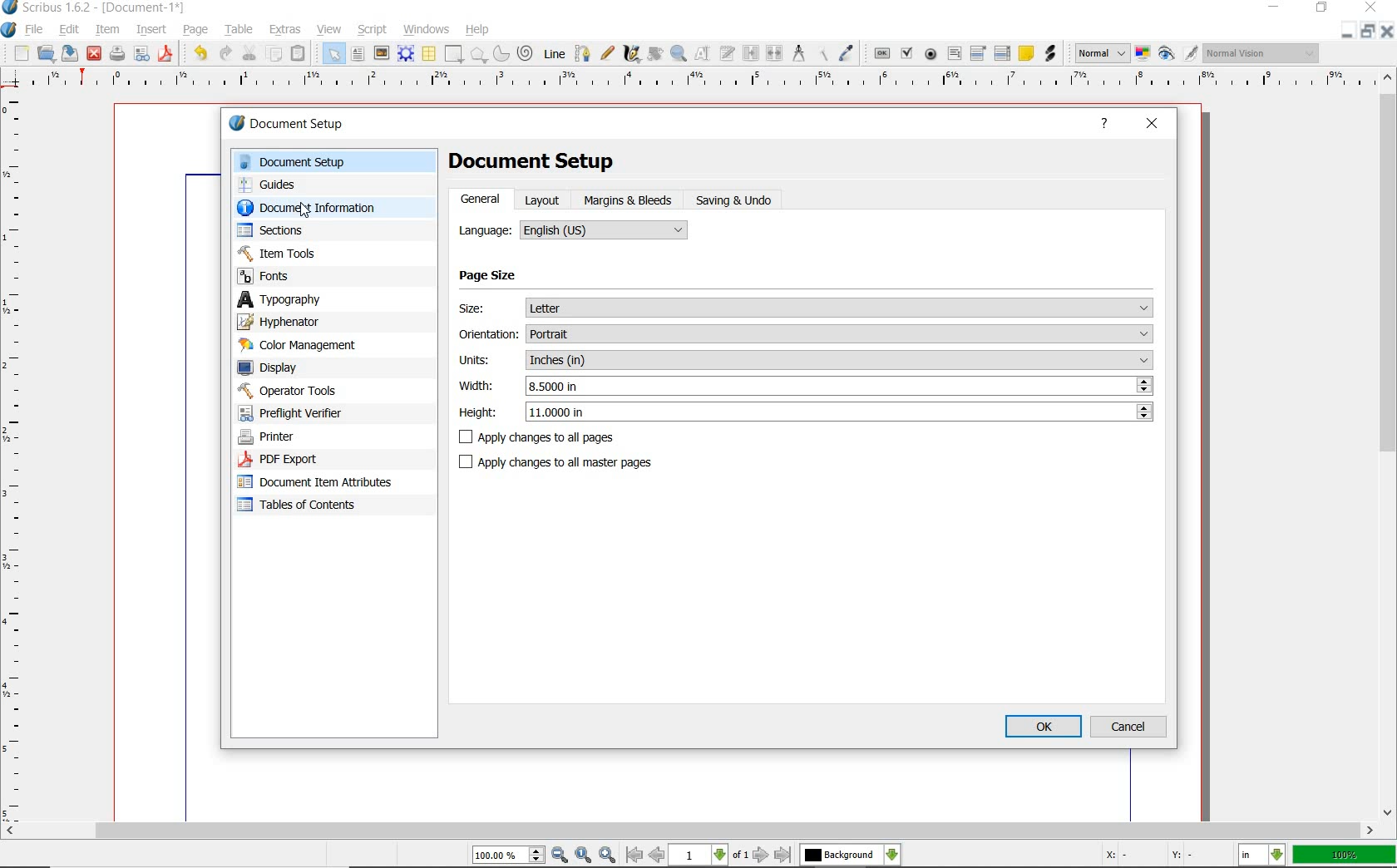  Describe the element at coordinates (807, 308) in the screenshot. I see `size` at that location.